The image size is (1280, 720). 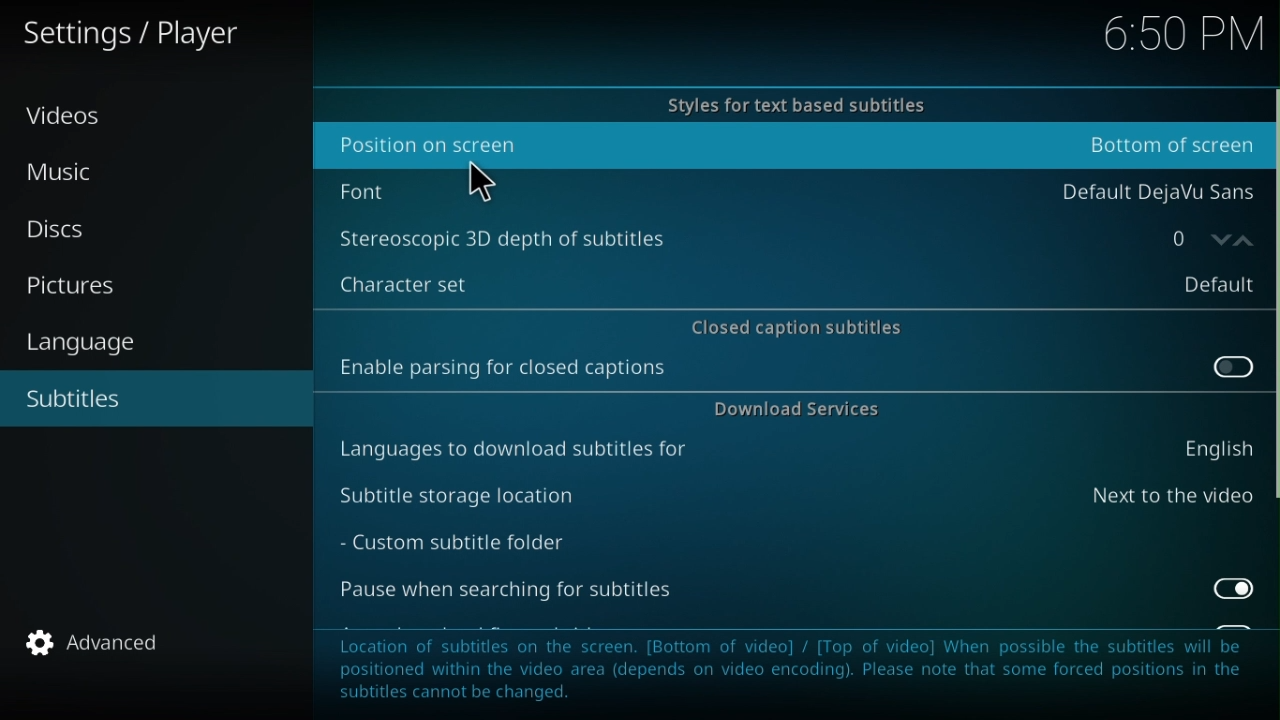 What do you see at coordinates (1272, 360) in the screenshot?
I see `Scroll bar` at bounding box center [1272, 360].